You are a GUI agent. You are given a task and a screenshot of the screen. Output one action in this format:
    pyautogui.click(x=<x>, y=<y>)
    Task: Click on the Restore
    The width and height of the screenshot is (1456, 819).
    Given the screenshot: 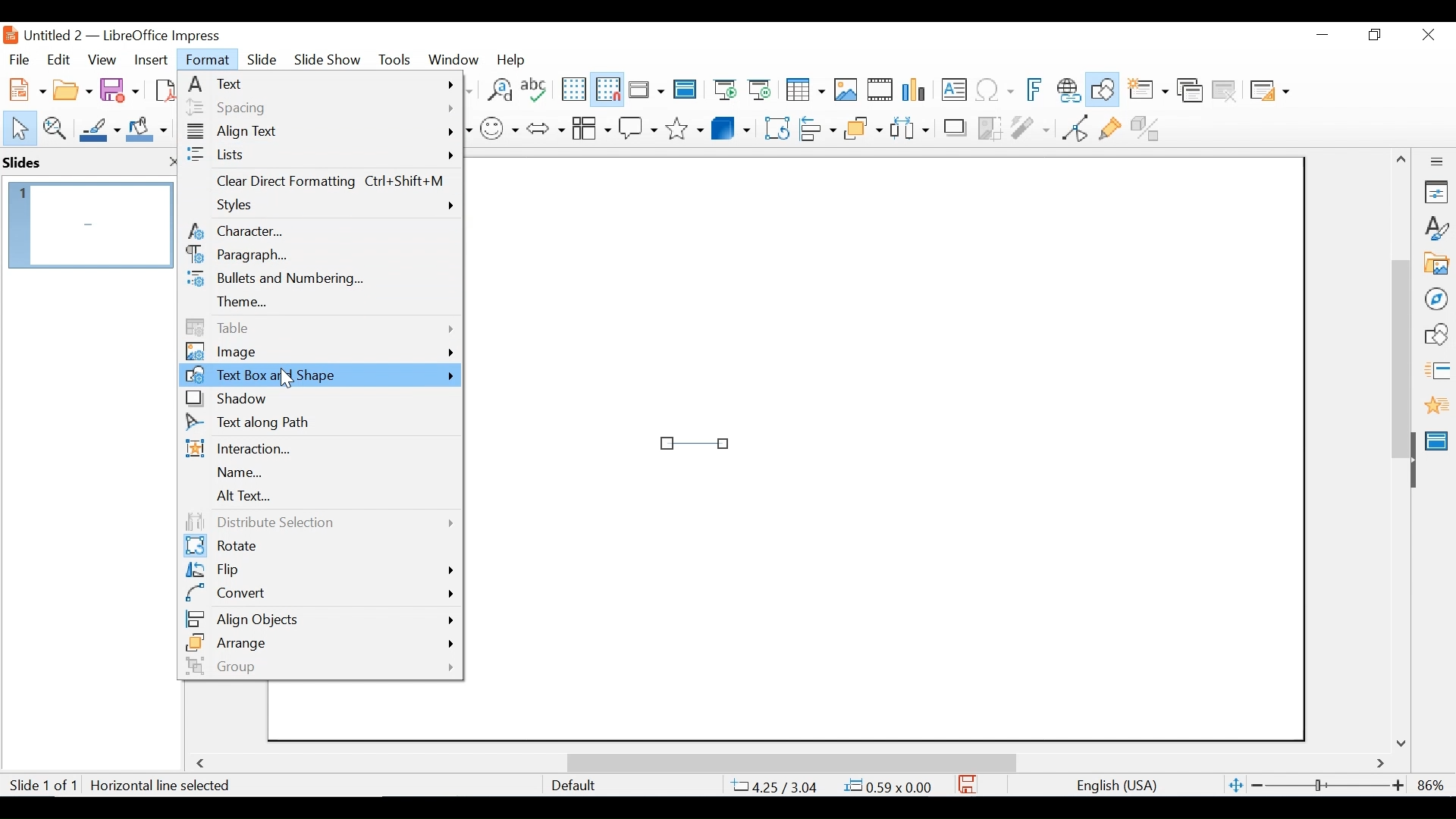 What is the action you would take?
    pyautogui.click(x=1373, y=35)
    